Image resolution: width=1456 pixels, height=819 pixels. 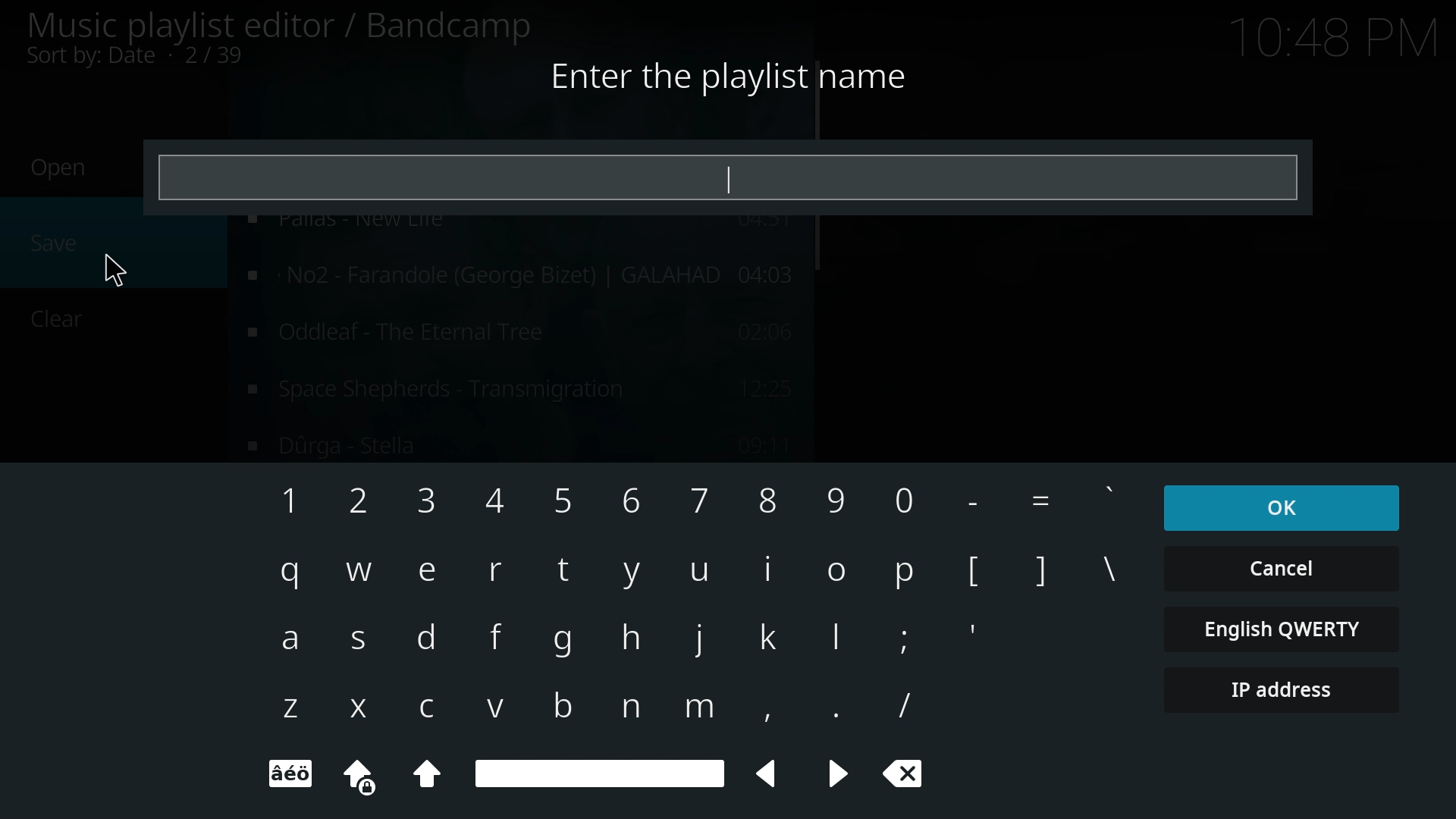 What do you see at coordinates (1288, 692) in the screenshot?
I see `ip address` at bounding box center [1288, 692].